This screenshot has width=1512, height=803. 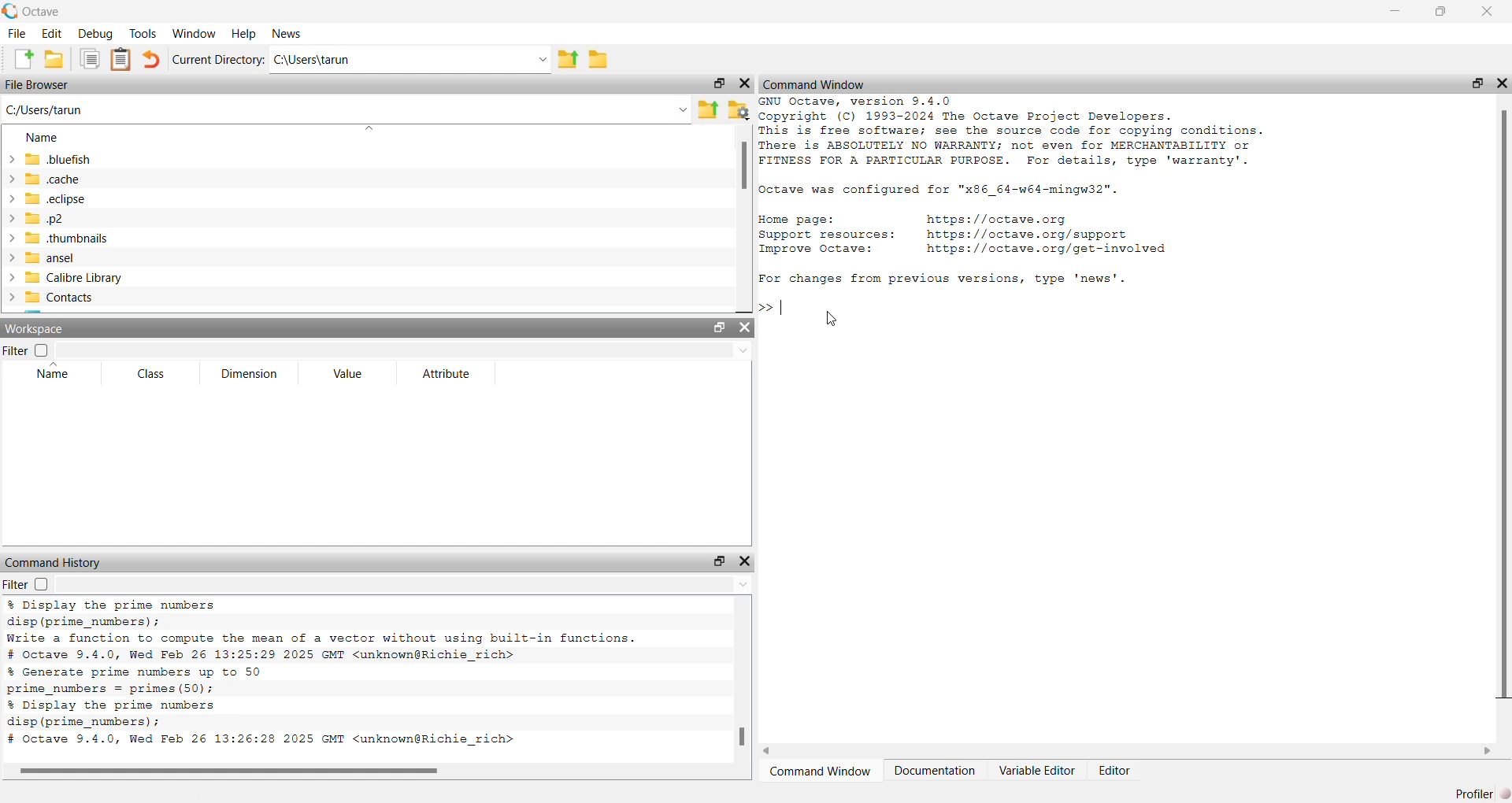 I want to click on undo, so click(x=150, y=59).